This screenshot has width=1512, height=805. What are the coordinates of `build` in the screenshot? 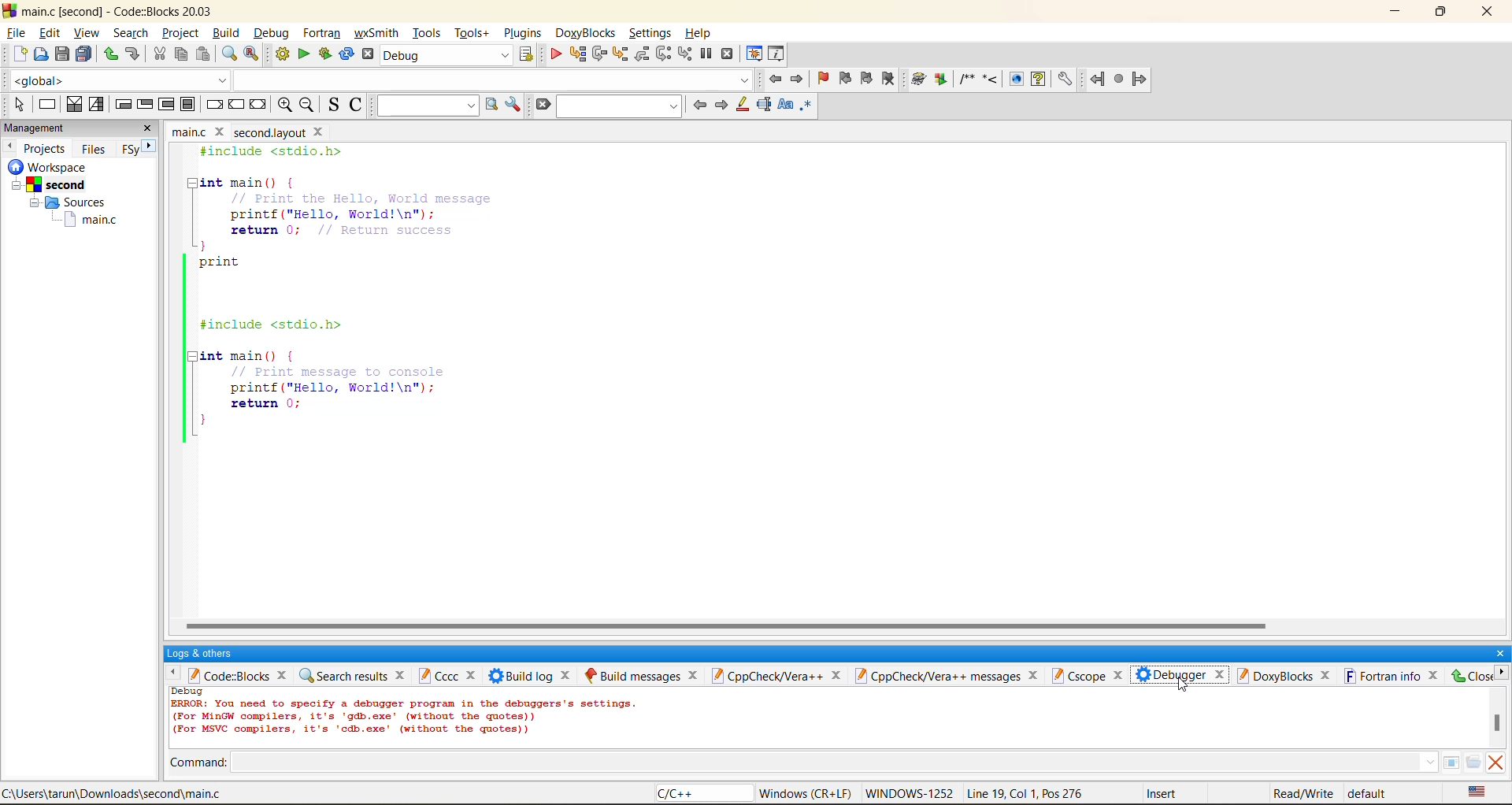 It's located at (226, 35).